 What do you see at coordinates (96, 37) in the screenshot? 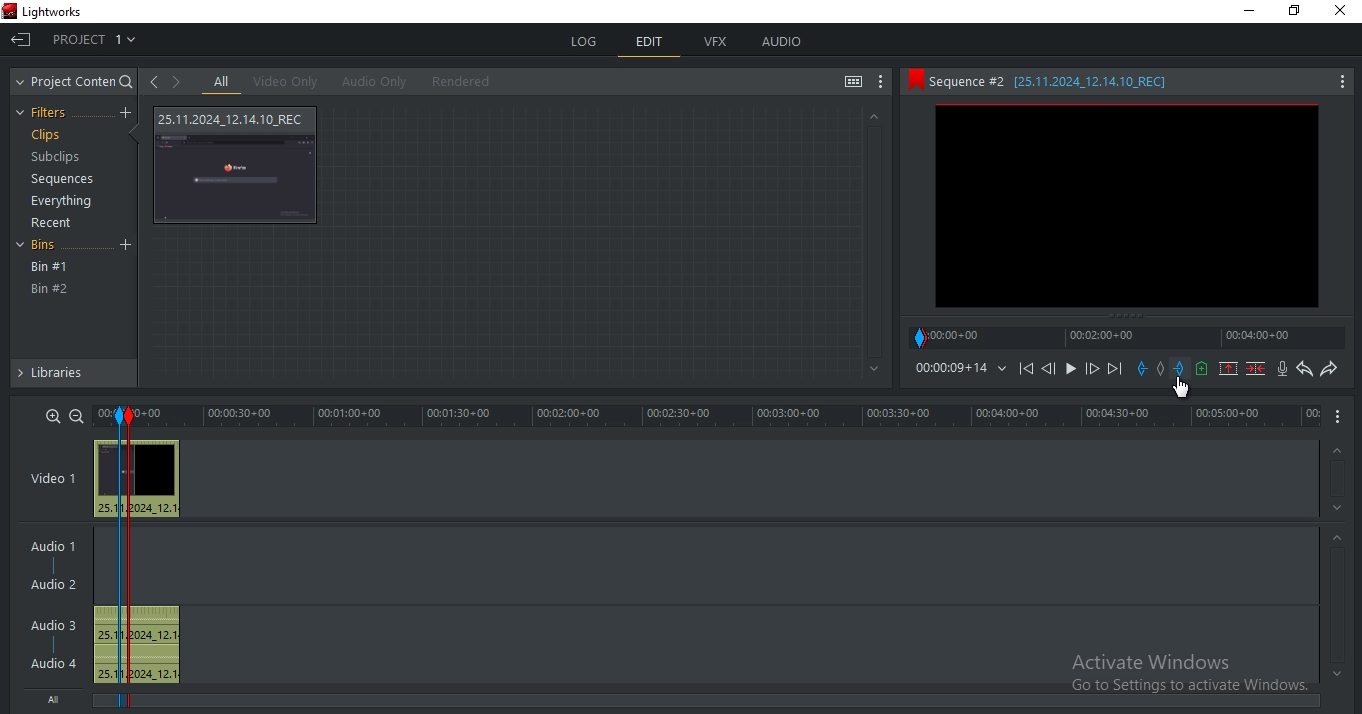
I see `project 1` at bounding box center [96, 37].